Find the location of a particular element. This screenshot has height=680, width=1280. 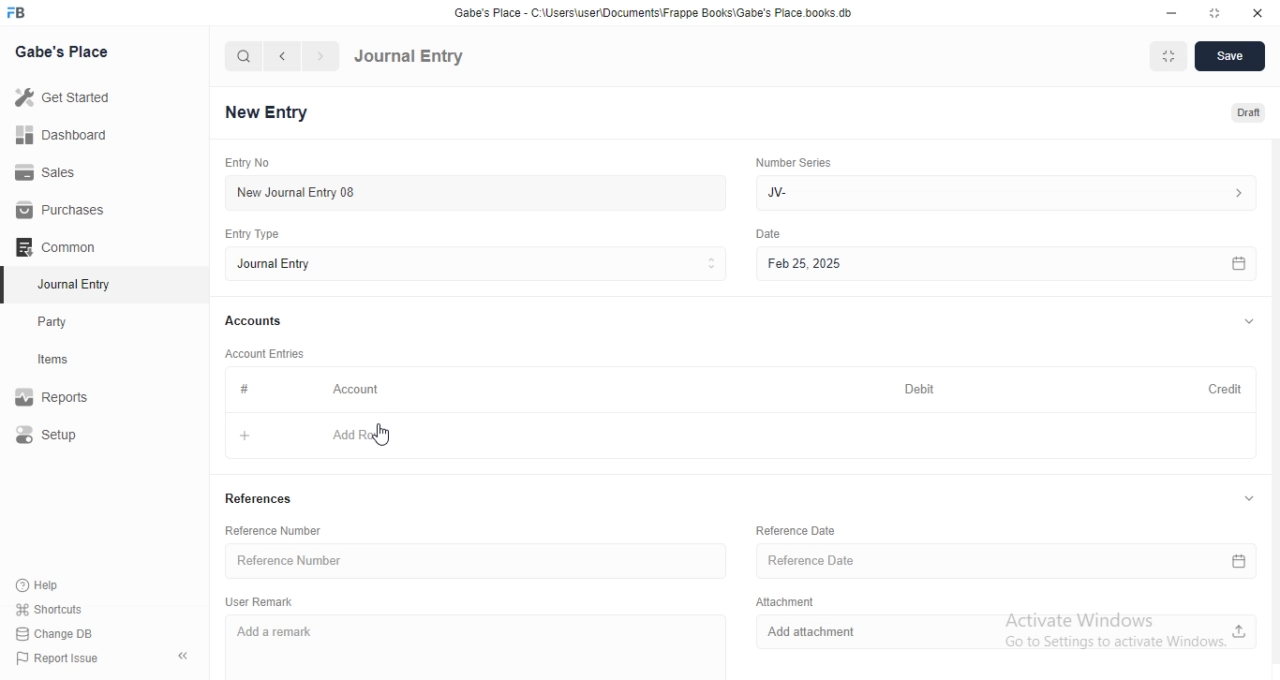

selected is located at coordinates (8, 286).